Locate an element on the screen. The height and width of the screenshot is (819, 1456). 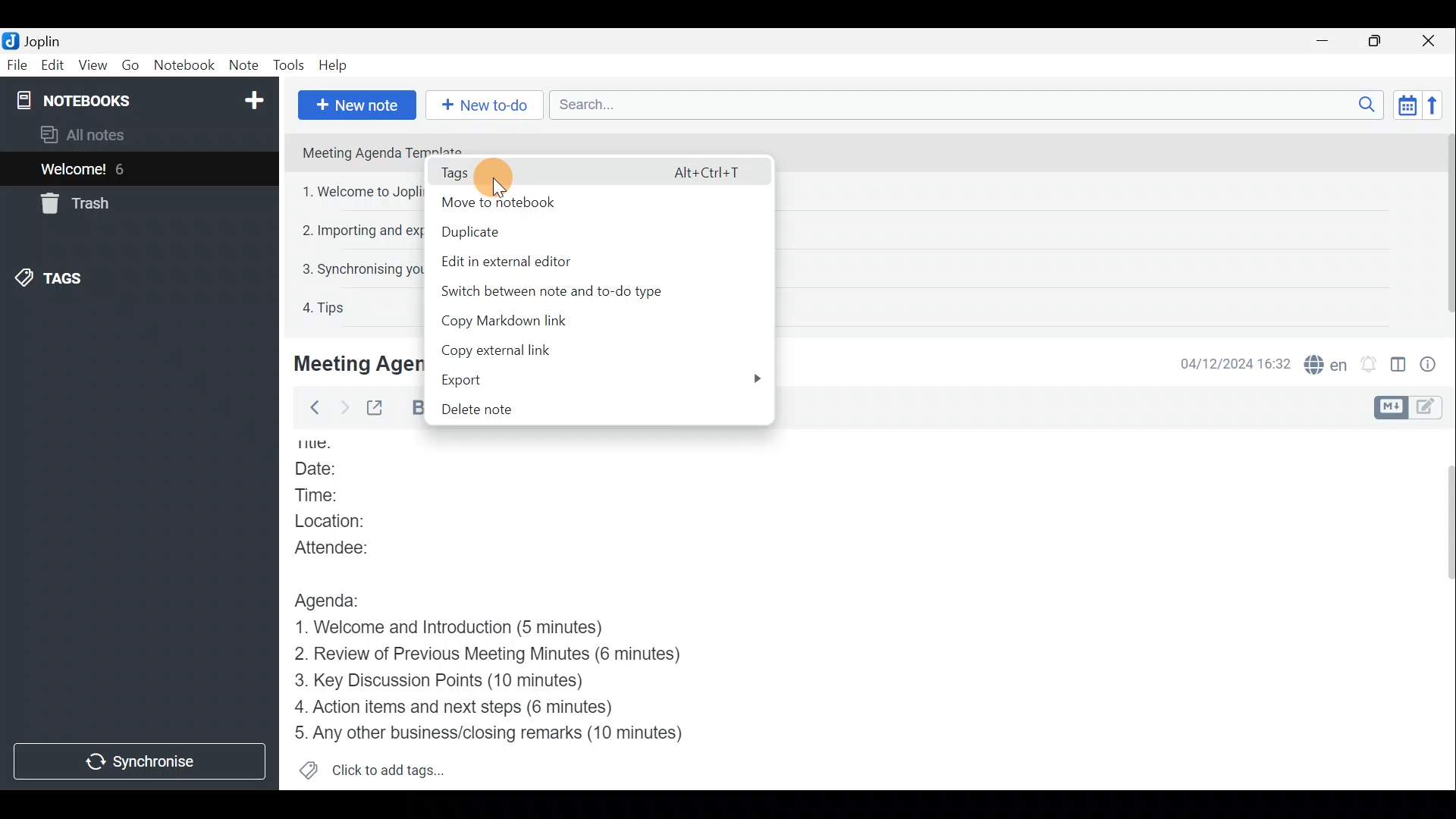
Review of Previous Meeting Minutes (6 minutes) is located at coordinates (512, 657).